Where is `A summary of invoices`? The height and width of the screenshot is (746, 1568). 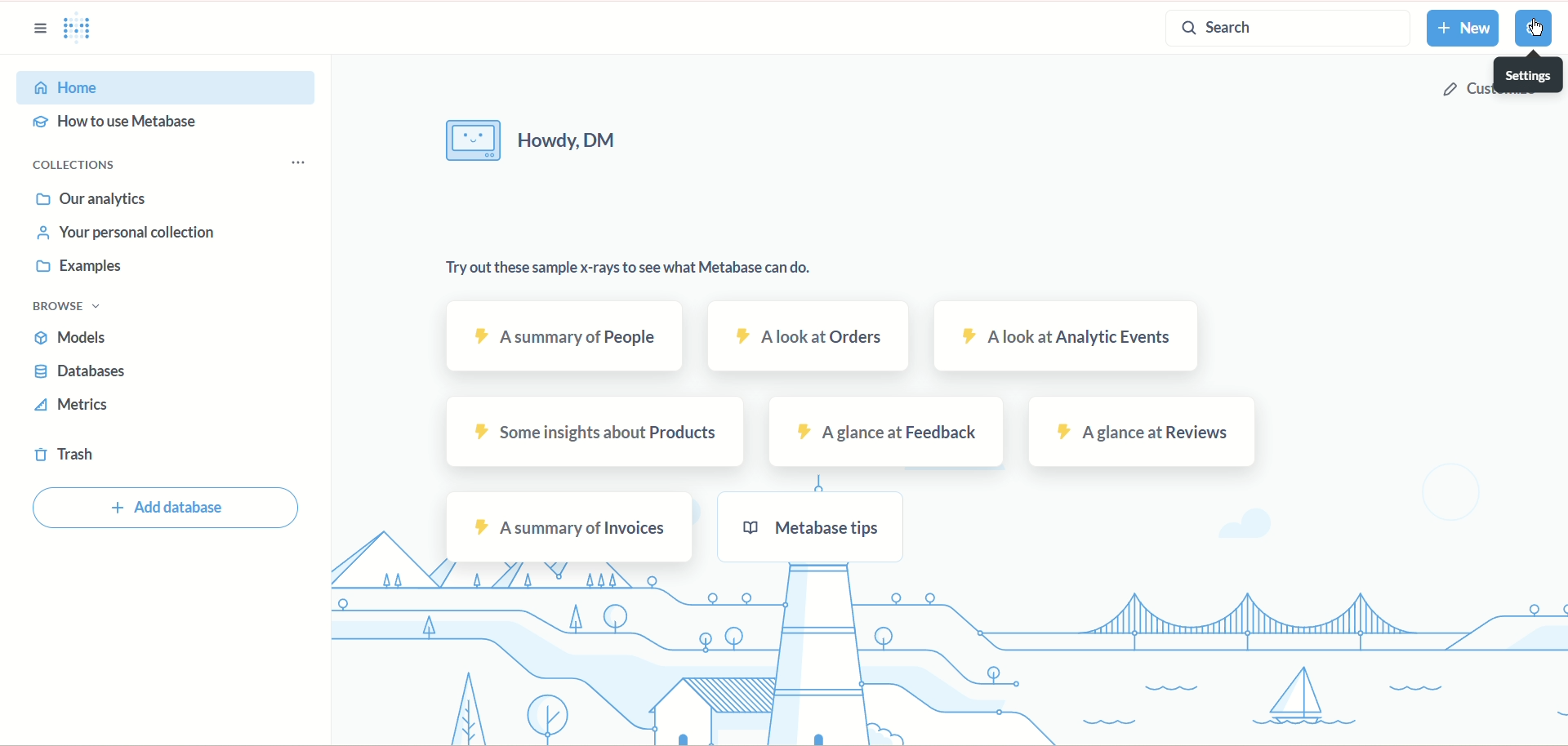 A summary of invoices is located at coordinates (574, 527).